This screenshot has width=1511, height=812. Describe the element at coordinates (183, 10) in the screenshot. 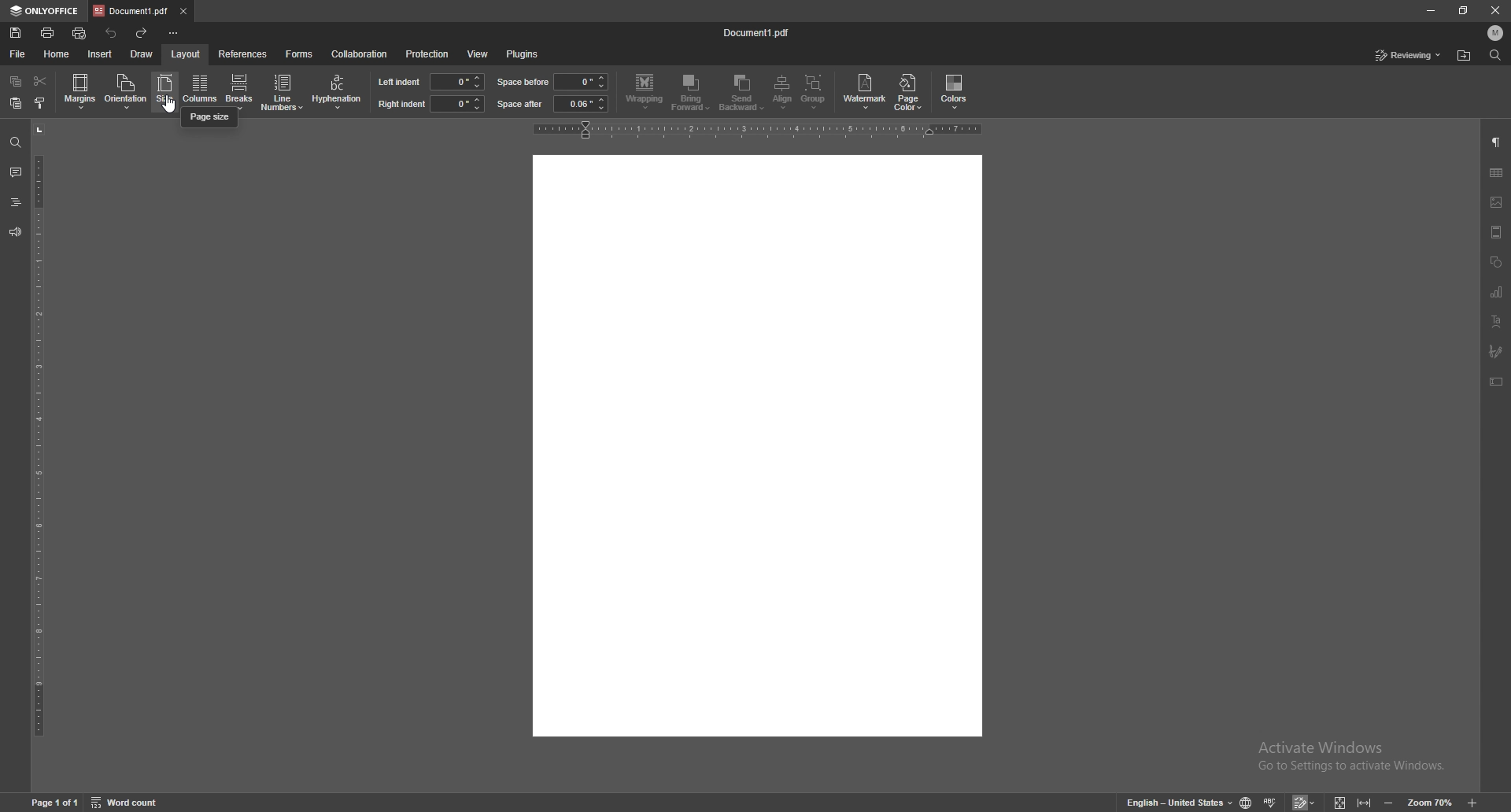

I see `close tab` at that location.